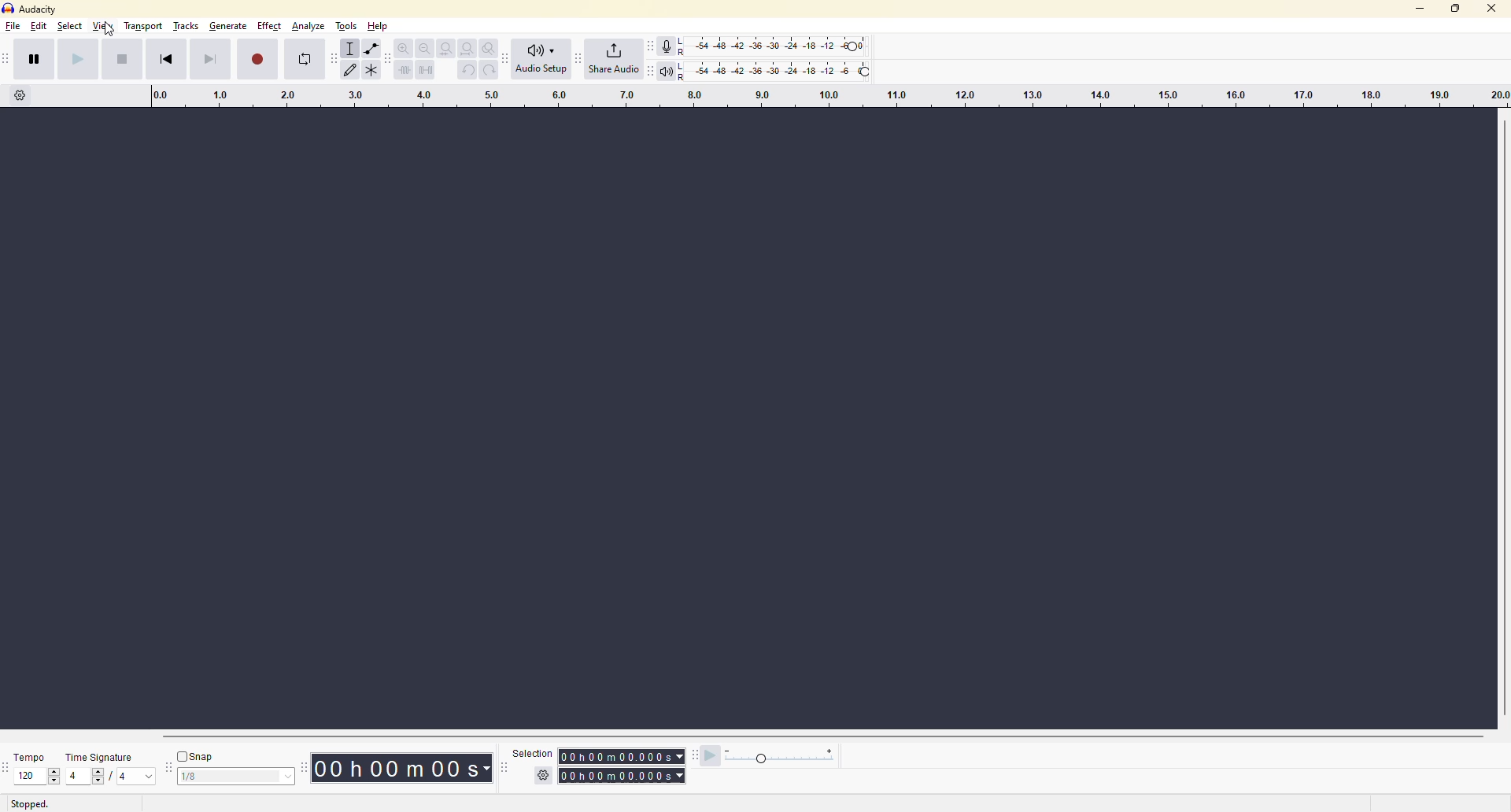 This screenshot has height=812, width=1511. What do you see at coordinates (545, 58) in the screenshot?
I see `audio setup` at bounding box center [545, 58].